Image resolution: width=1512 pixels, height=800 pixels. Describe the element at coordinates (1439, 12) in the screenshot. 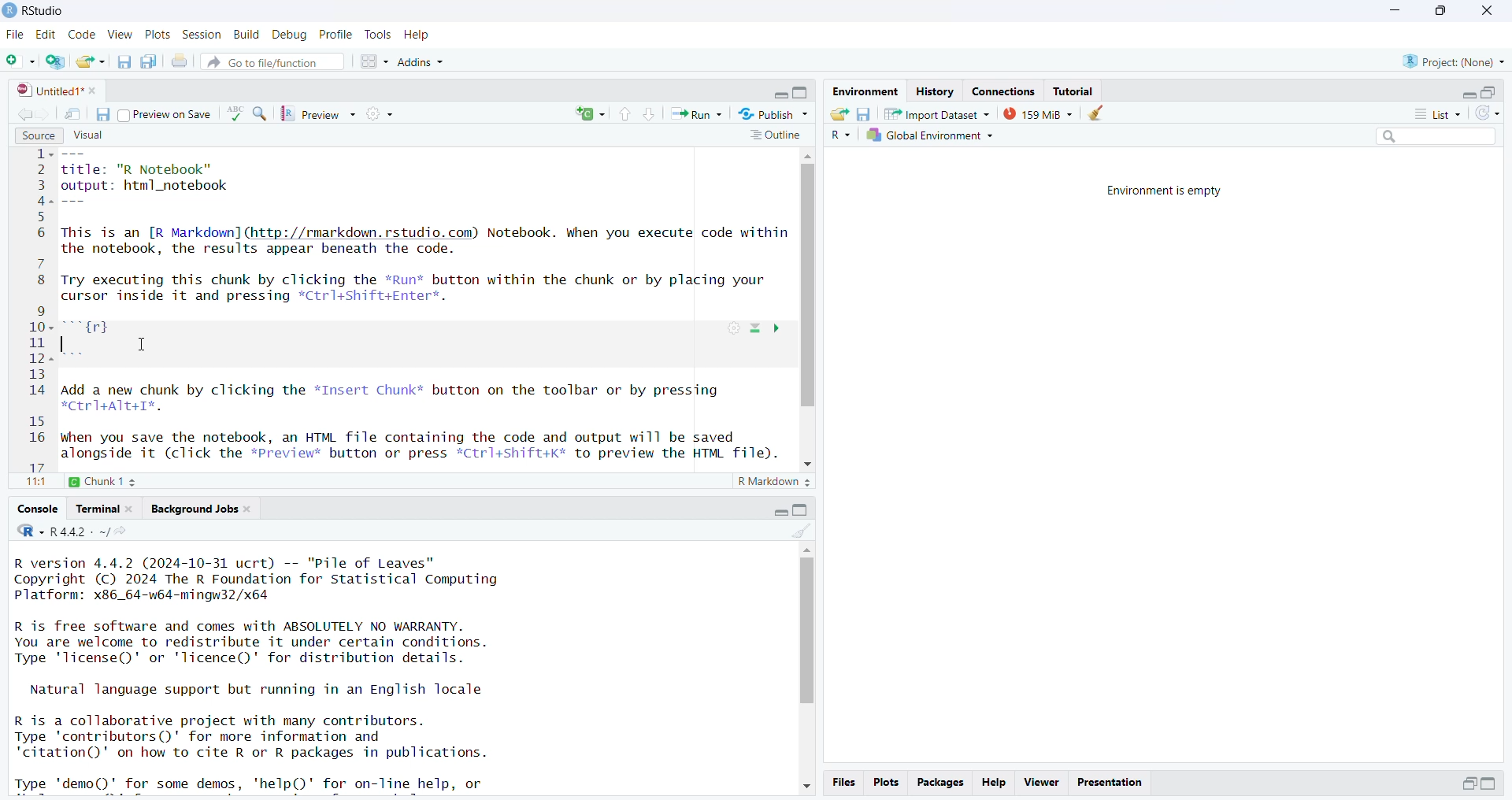

I see `maximize` at that location.